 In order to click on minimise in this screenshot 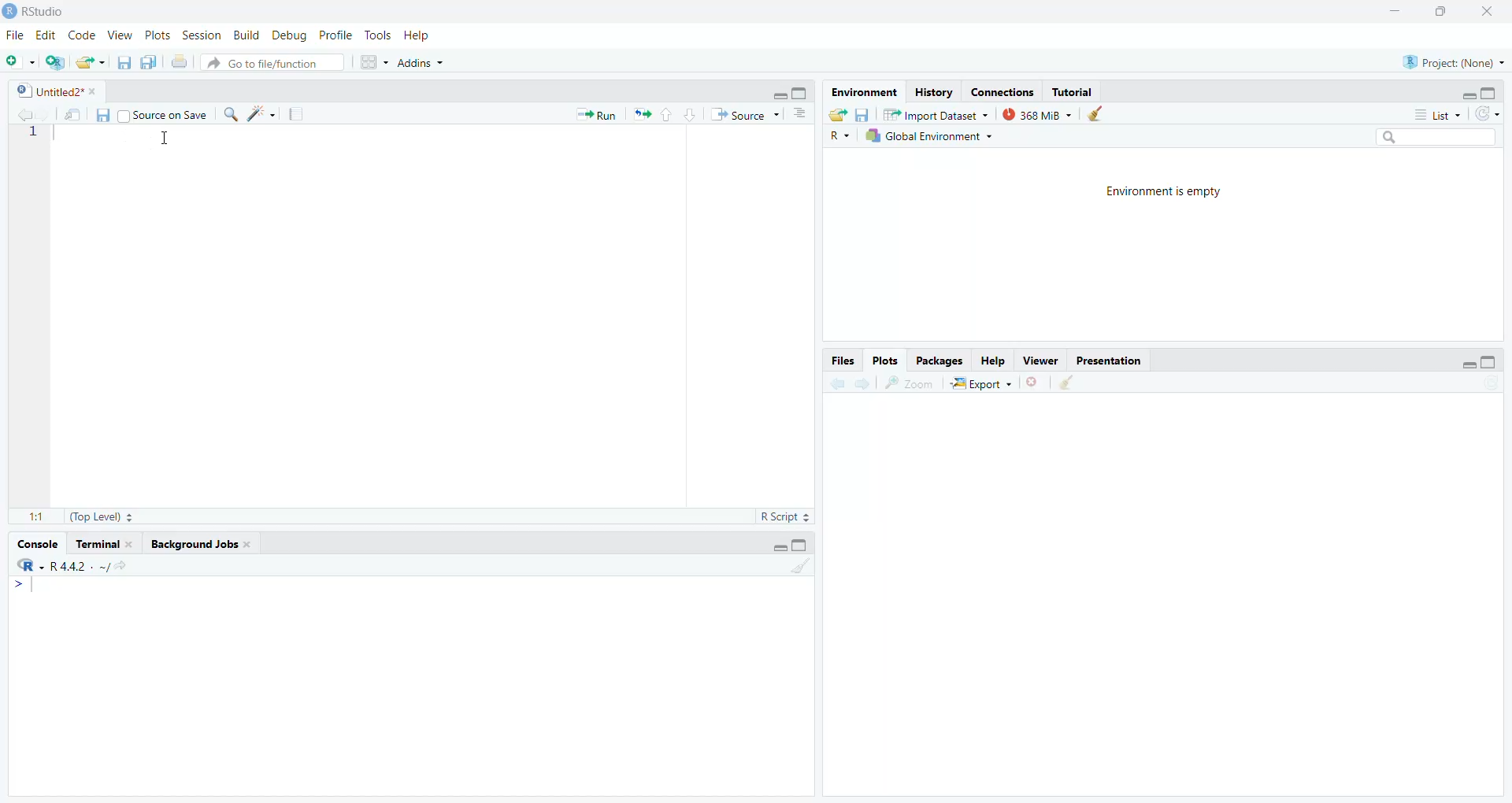, I will do `click(1392, 9)`.